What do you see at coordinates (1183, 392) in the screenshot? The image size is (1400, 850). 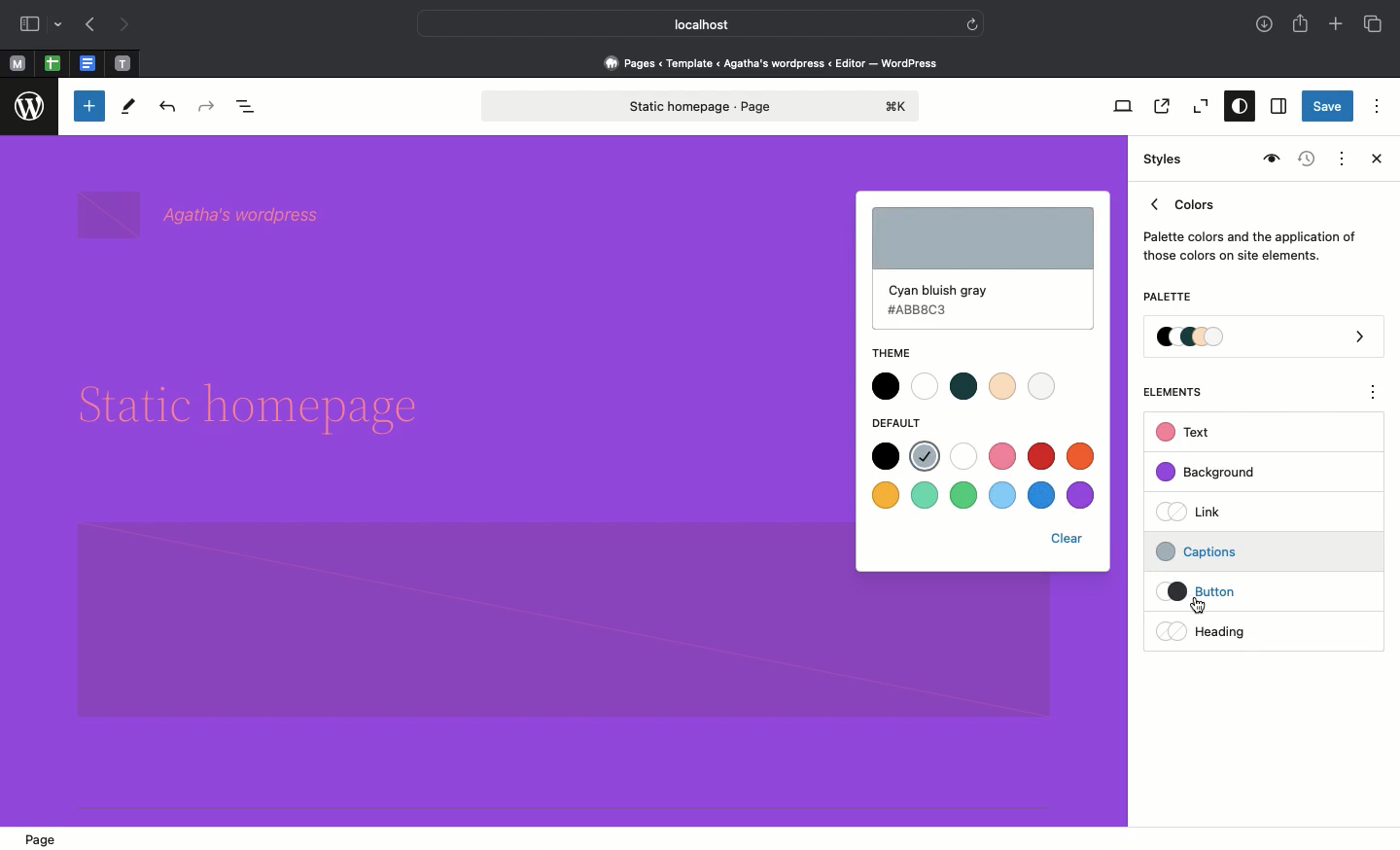 I see `Elements` at bounding box center [1183, 392].